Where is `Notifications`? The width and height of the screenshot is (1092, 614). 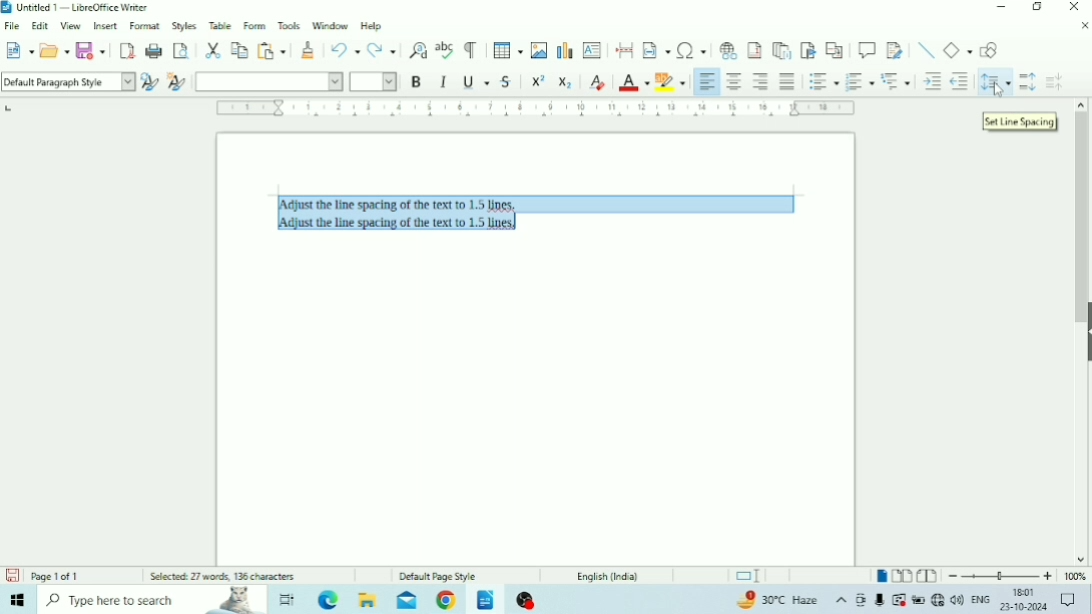 Notifications is located at coordinates (1067, 598).